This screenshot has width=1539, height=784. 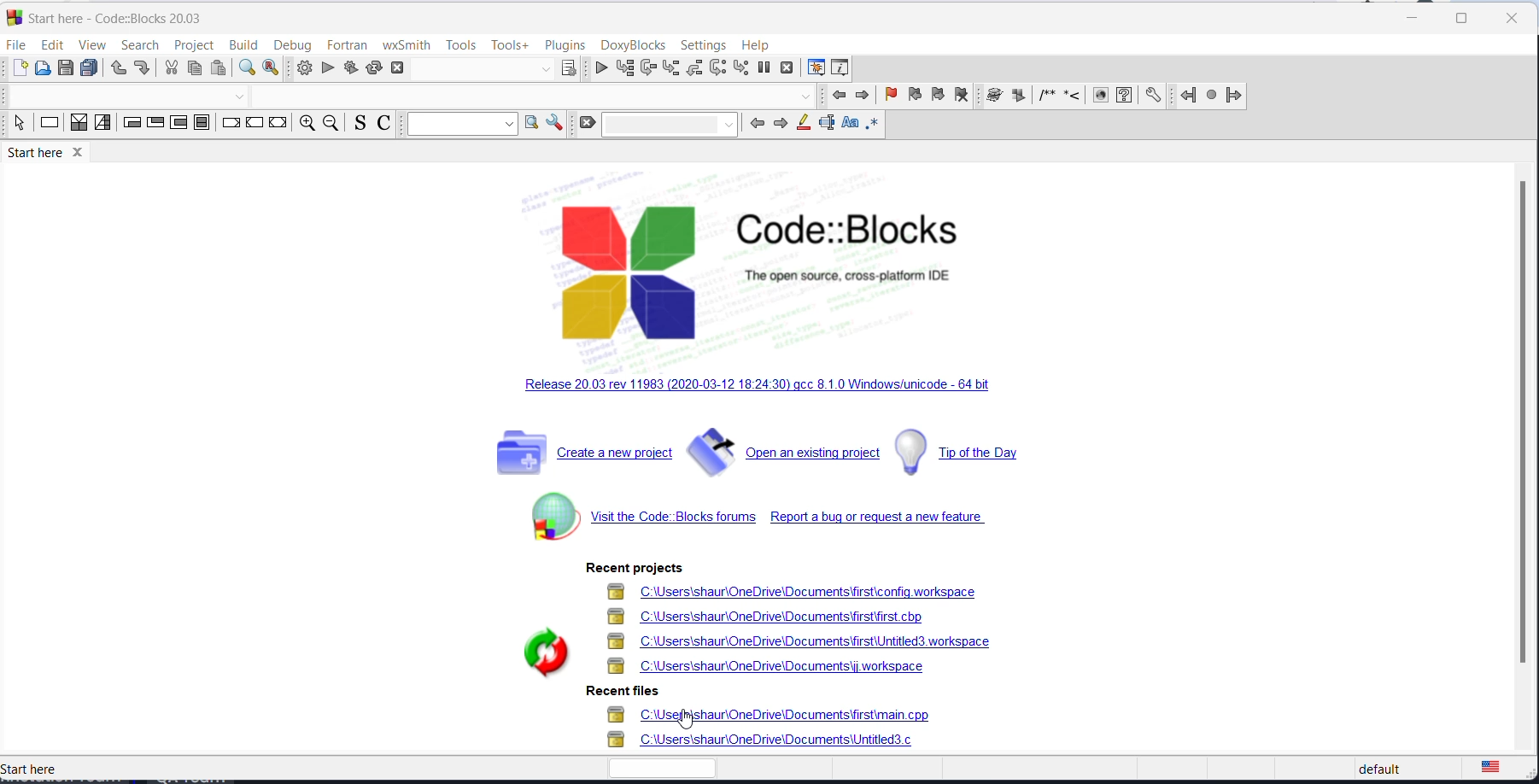 What do you see at coordinates (1467, 18) in the screenshot?
I see `maximize` at bounding box center [1467, 18].